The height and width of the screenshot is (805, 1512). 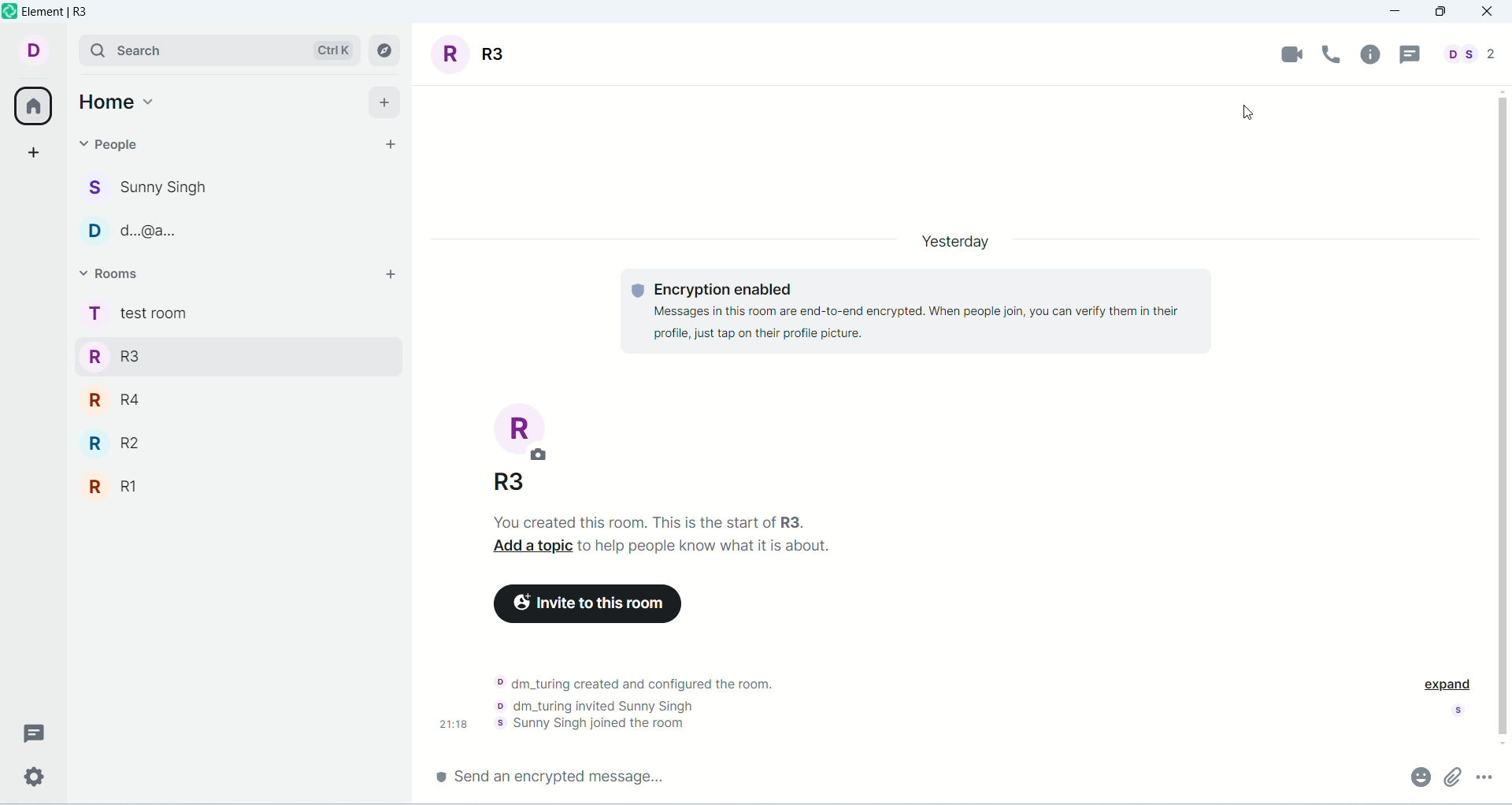 I want to click on element, so click(x=59, y=13).